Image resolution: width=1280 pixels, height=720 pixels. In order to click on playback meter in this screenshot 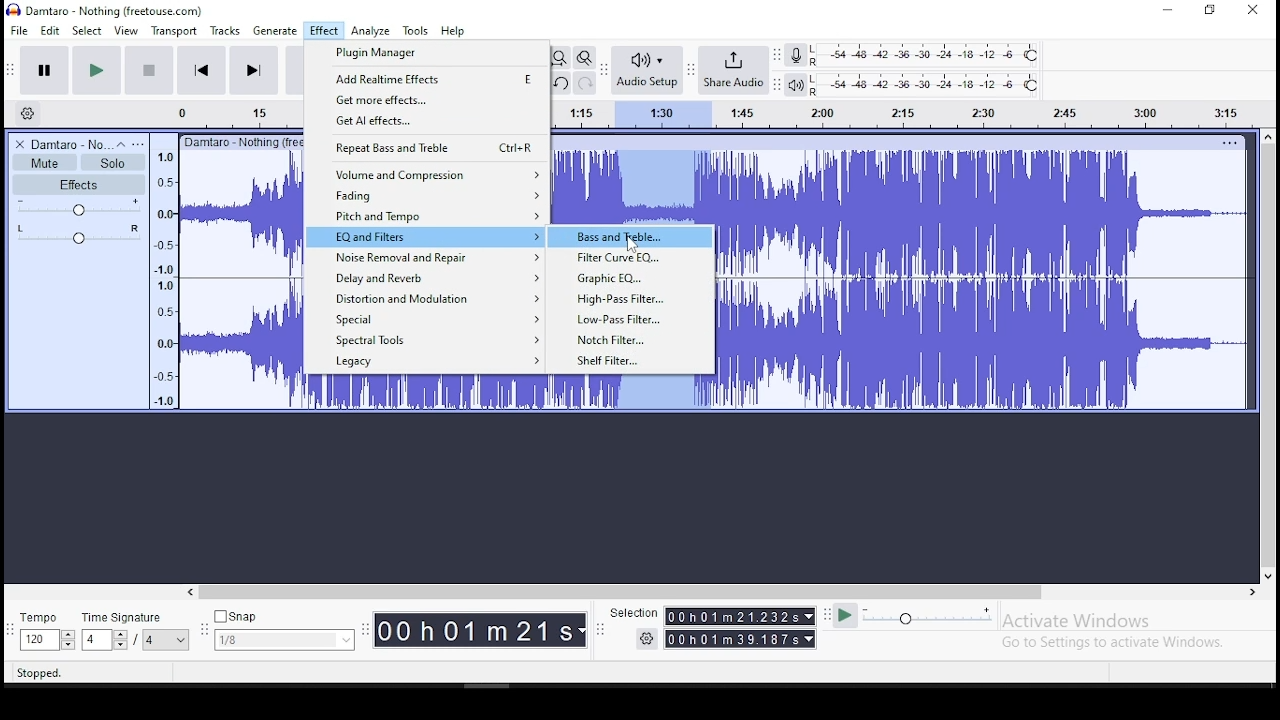, I will do `click(797, 85)`.